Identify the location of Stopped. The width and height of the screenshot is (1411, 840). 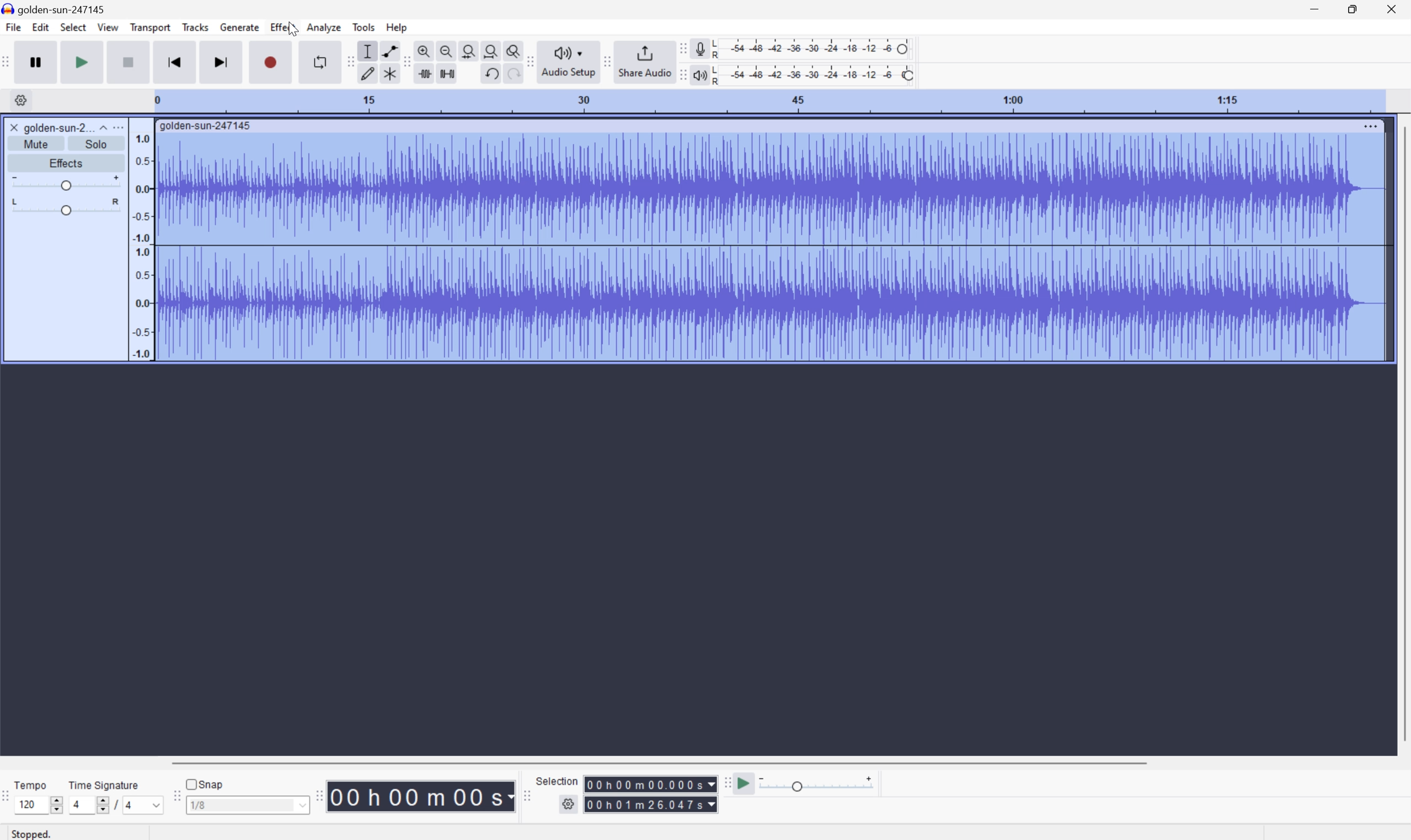
(33, 833).